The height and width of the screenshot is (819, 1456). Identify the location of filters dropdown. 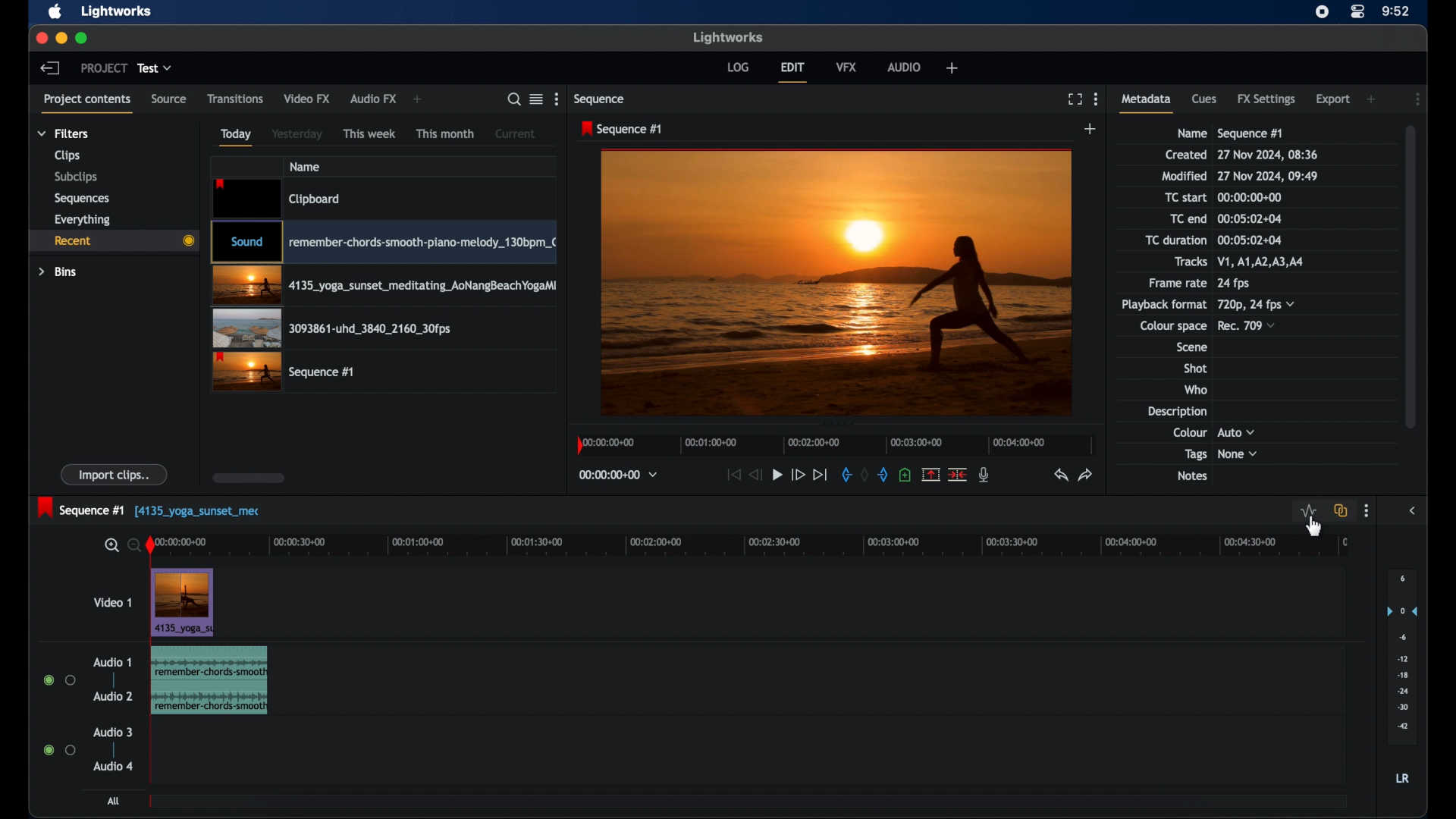
(63, 133).